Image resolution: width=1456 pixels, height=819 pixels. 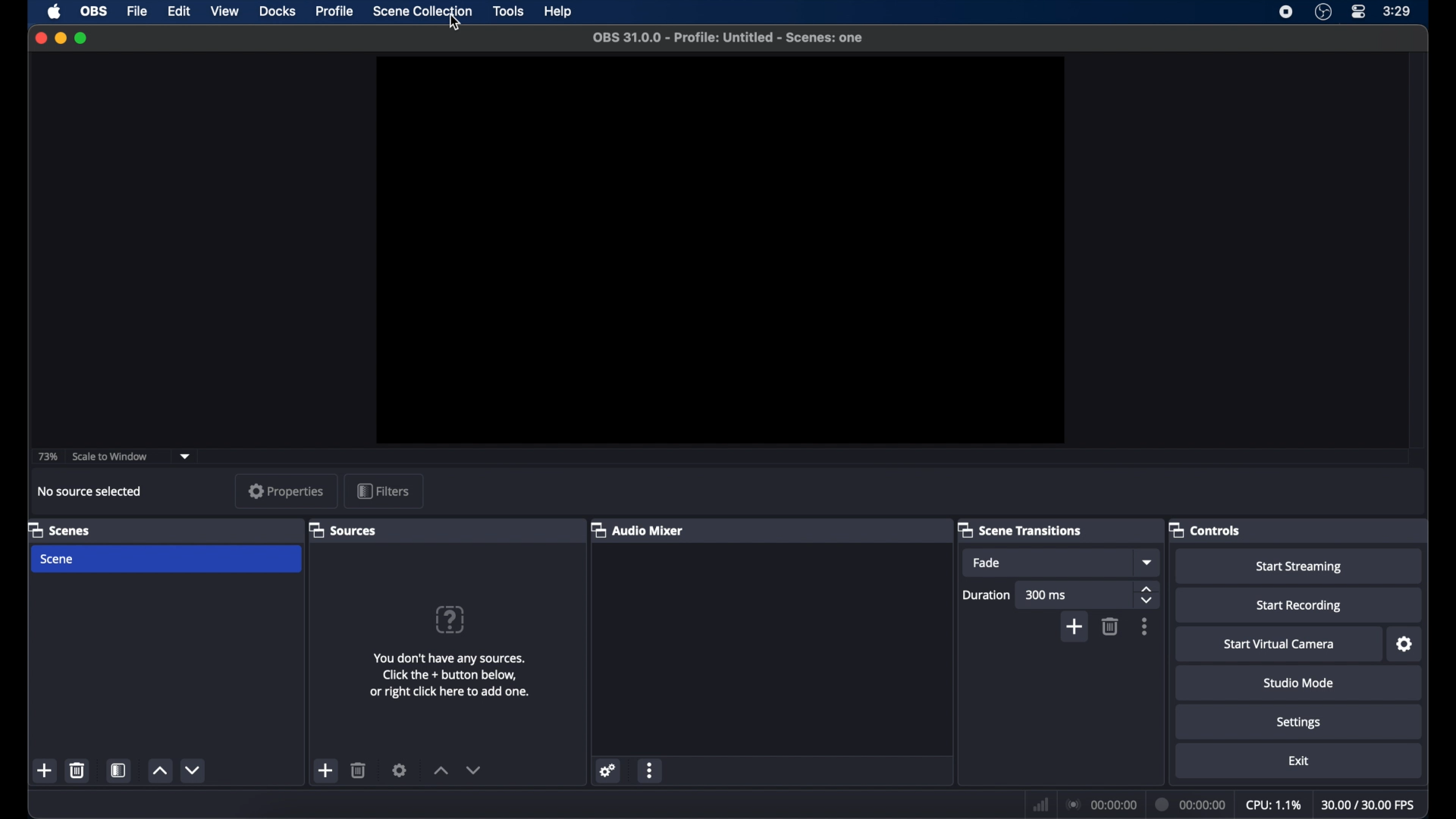 What do you see at coordinates (177, 11) in the screenshot?
I see `edit` at bounding box center [177, 11].